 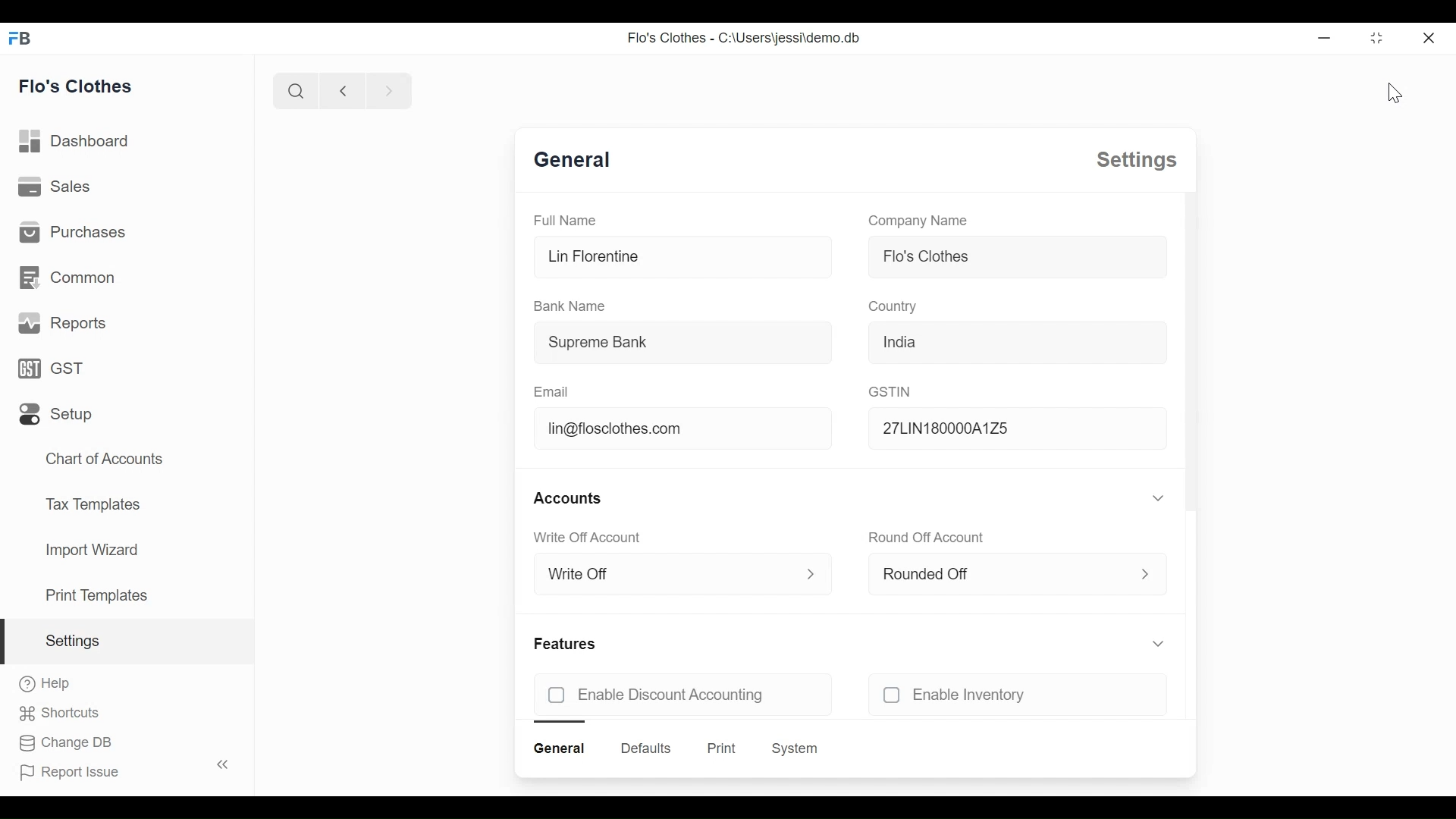 What do you see at coordinates (64, 743) in the screenshot?
I see `change DB` at bounding box center [64, 743].